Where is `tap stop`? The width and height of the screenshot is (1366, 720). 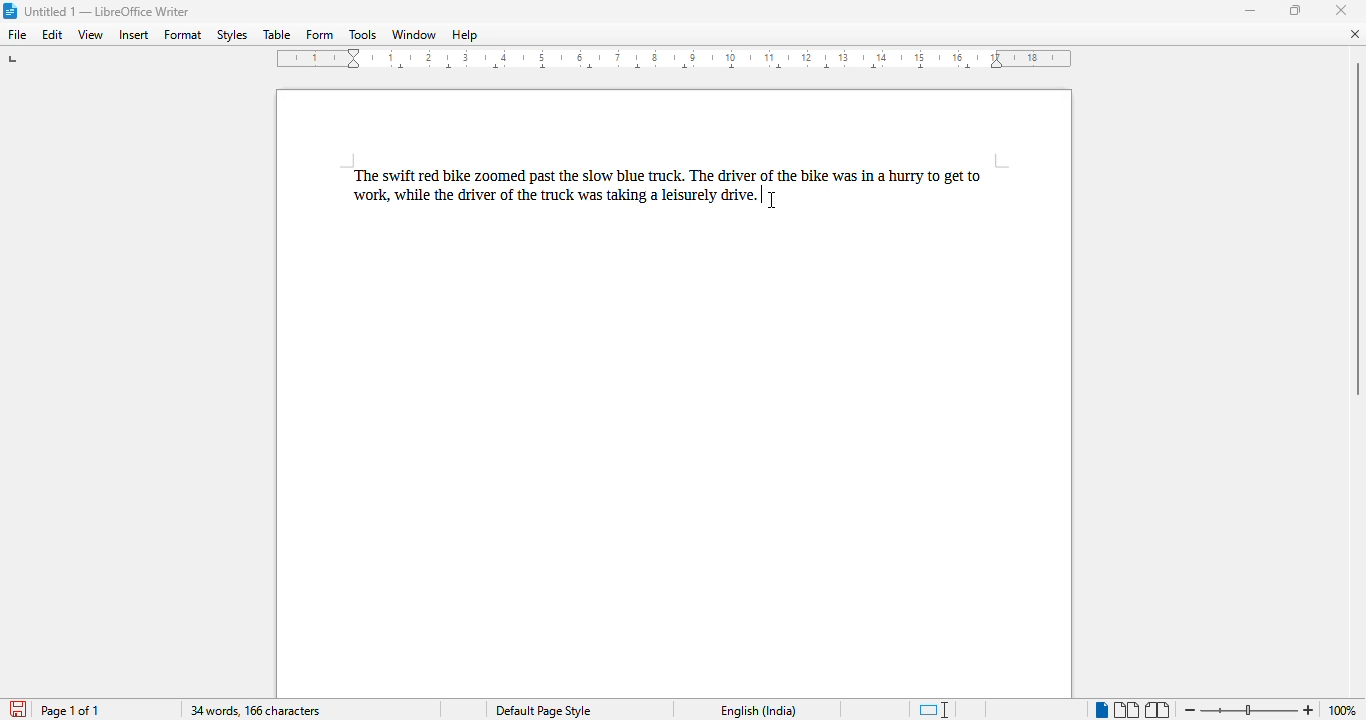 tap stop is located at coordinates (14, 62).